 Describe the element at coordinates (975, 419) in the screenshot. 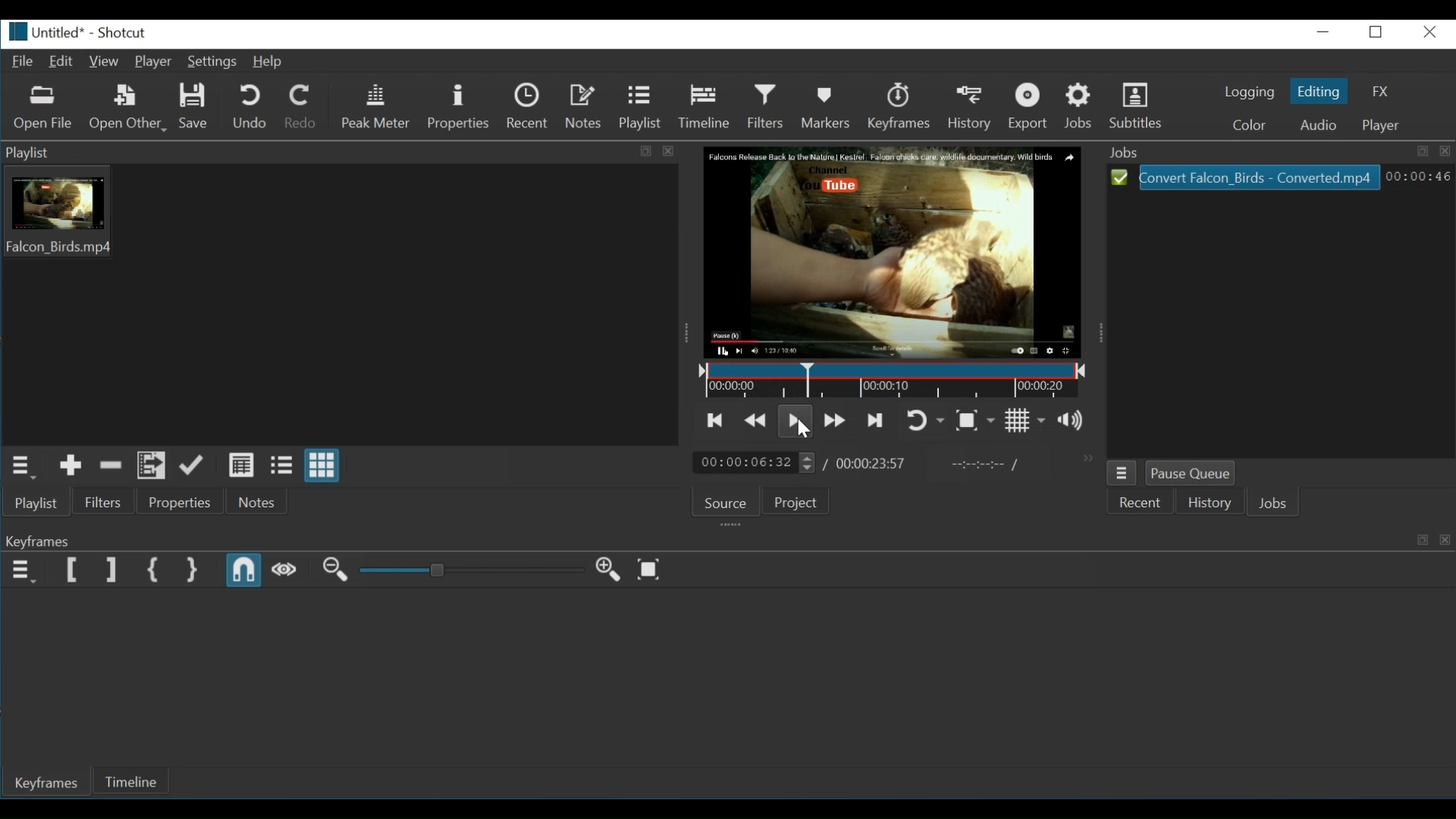

I see `Toggle zoom` at that location.